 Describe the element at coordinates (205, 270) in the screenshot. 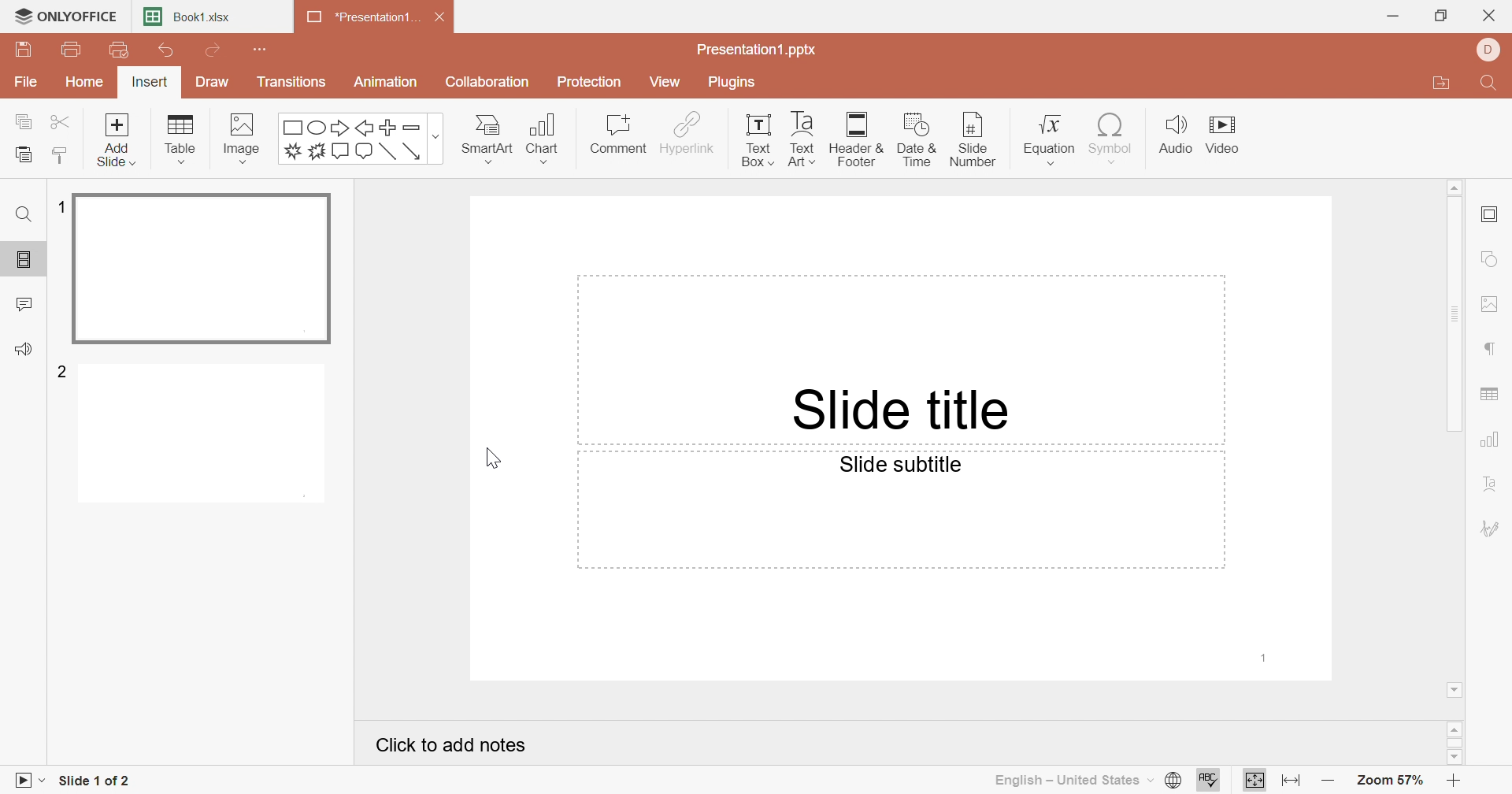

I see `Slide 1` at that location.